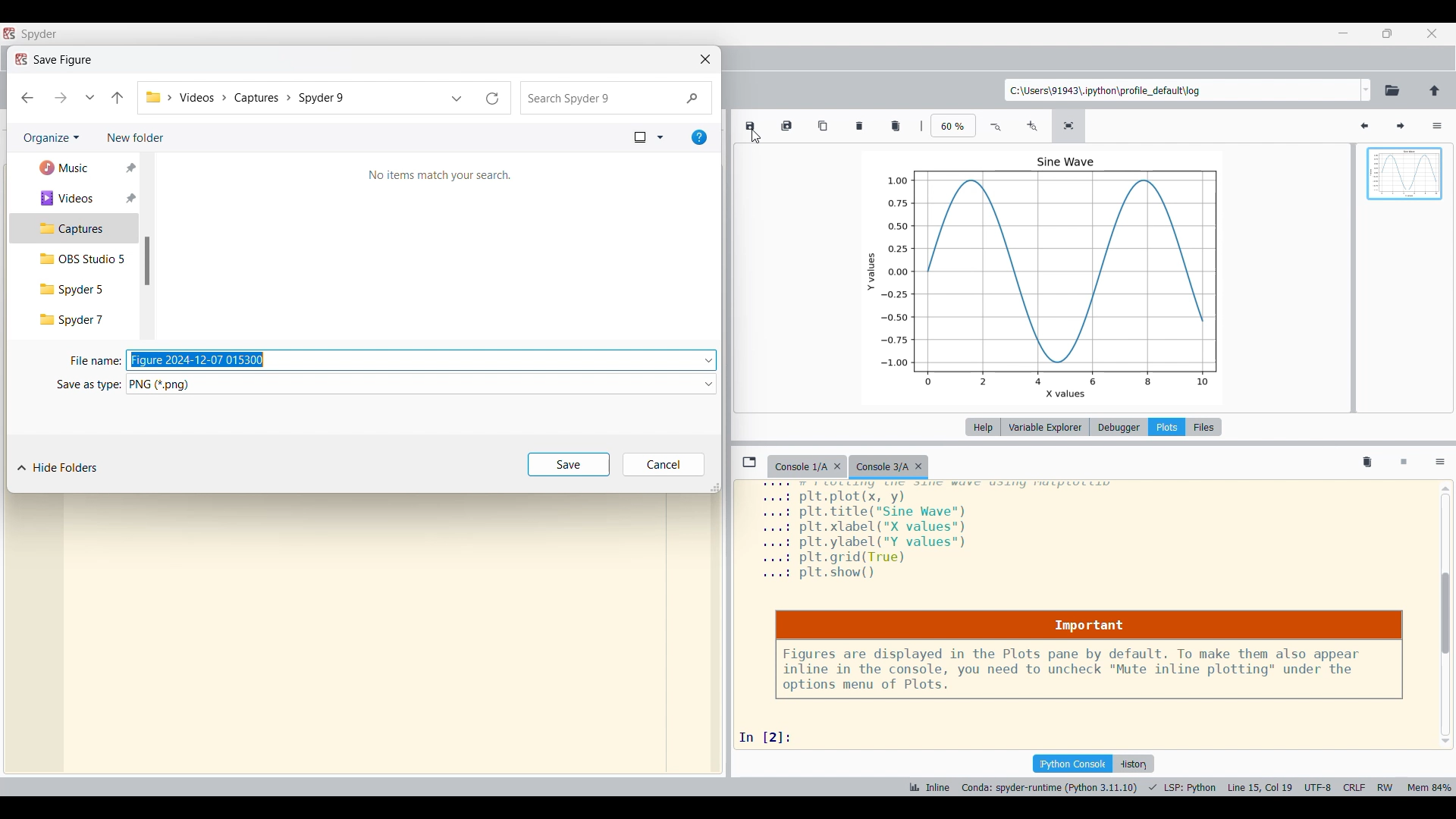  Describe the element at coordinates (40, 34) in the screenshot. I see `title bar` at that location.